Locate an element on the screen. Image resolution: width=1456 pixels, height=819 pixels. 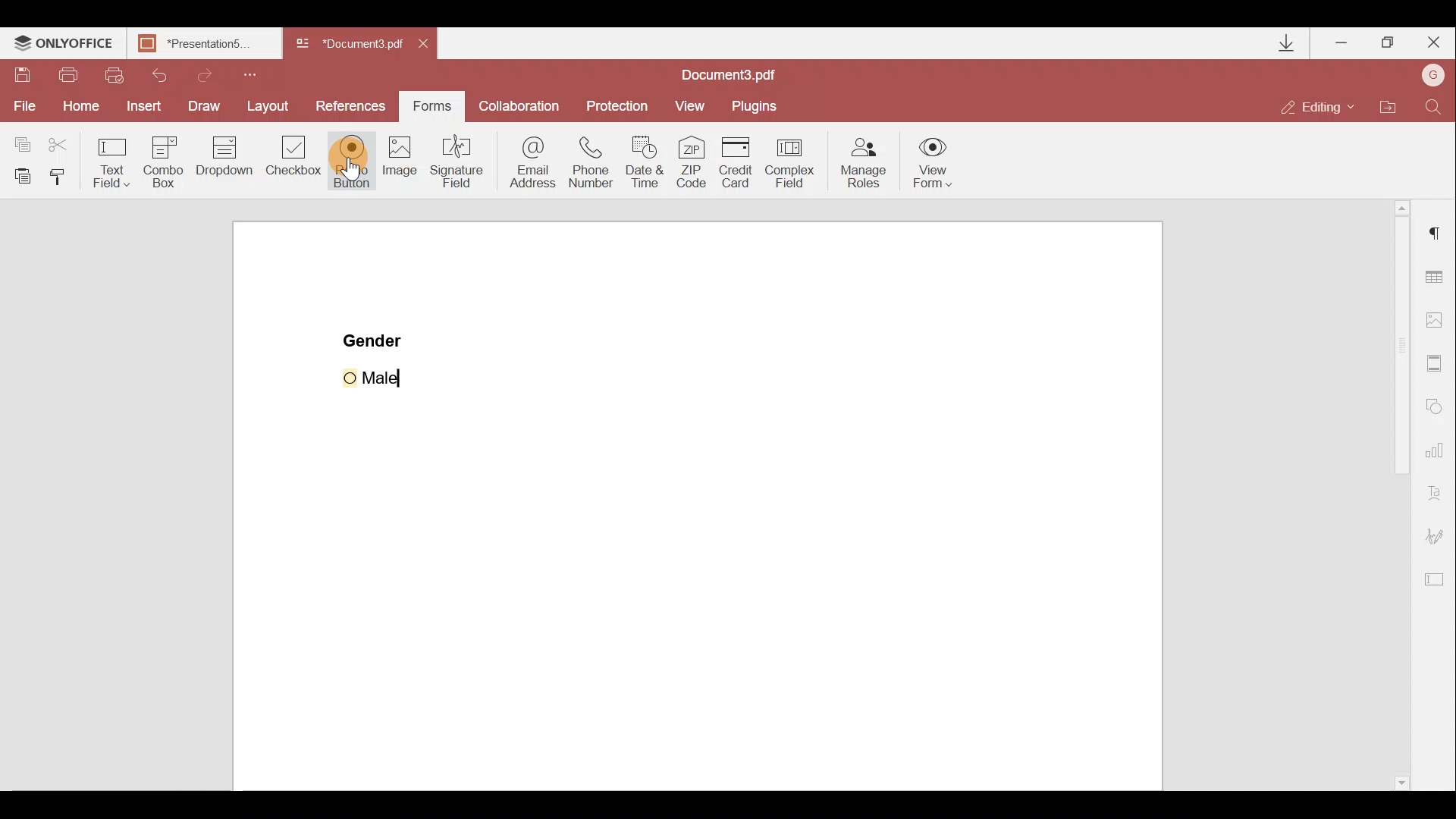
Insert is located at coordinates (142, 108).